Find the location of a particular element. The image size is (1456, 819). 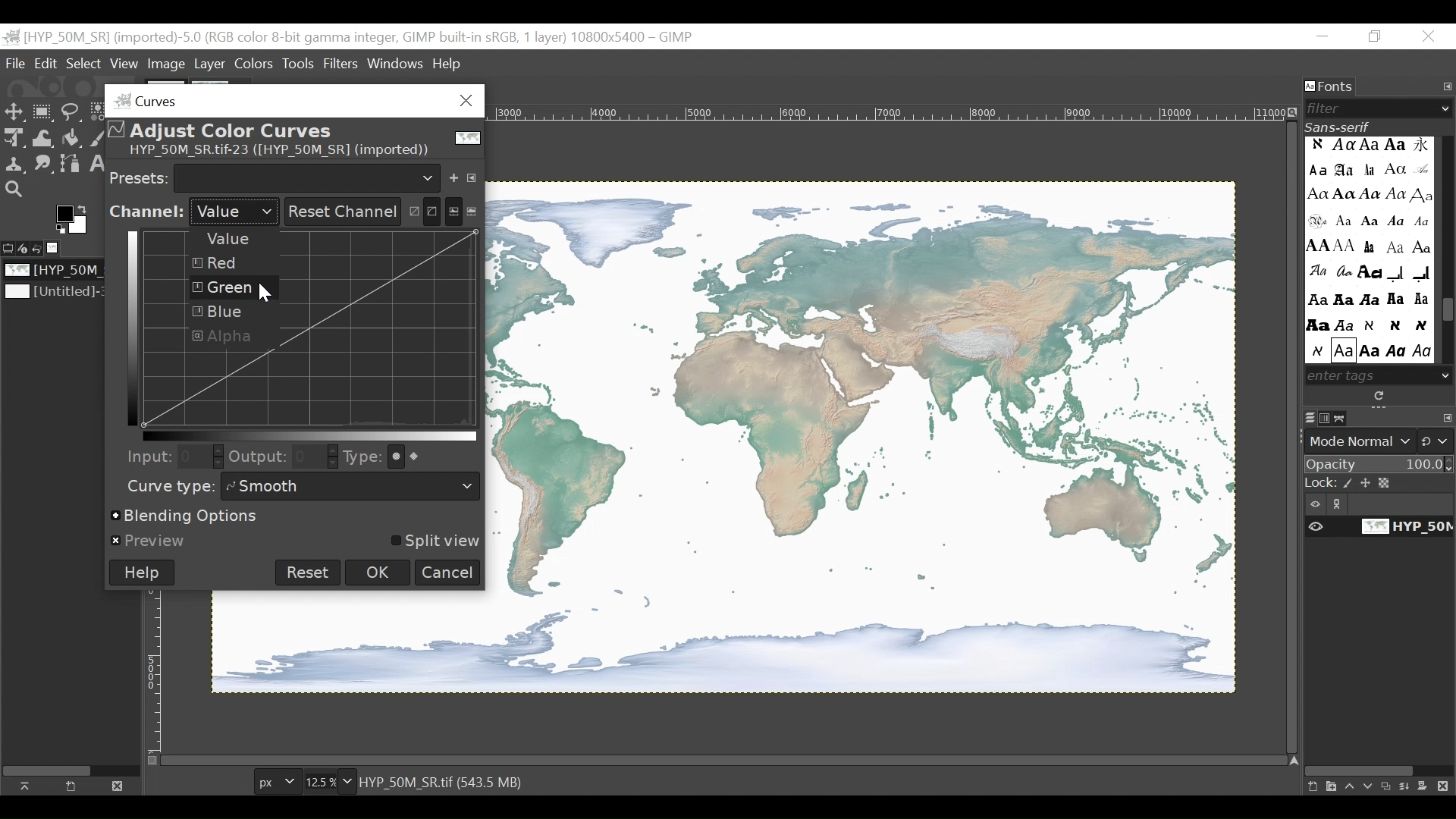

Paths is located at coordinates (1345, 418).